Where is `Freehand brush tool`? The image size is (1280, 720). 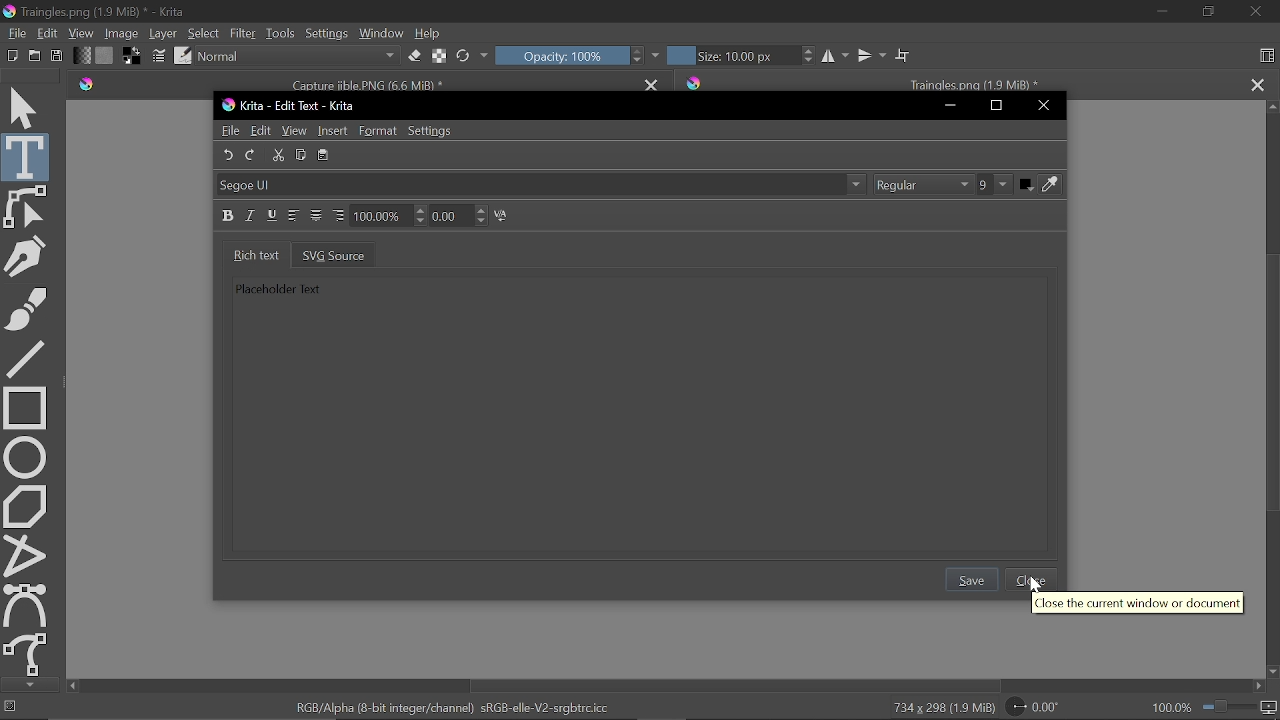
Freehand brush tool is located at coordinates (26, 306).